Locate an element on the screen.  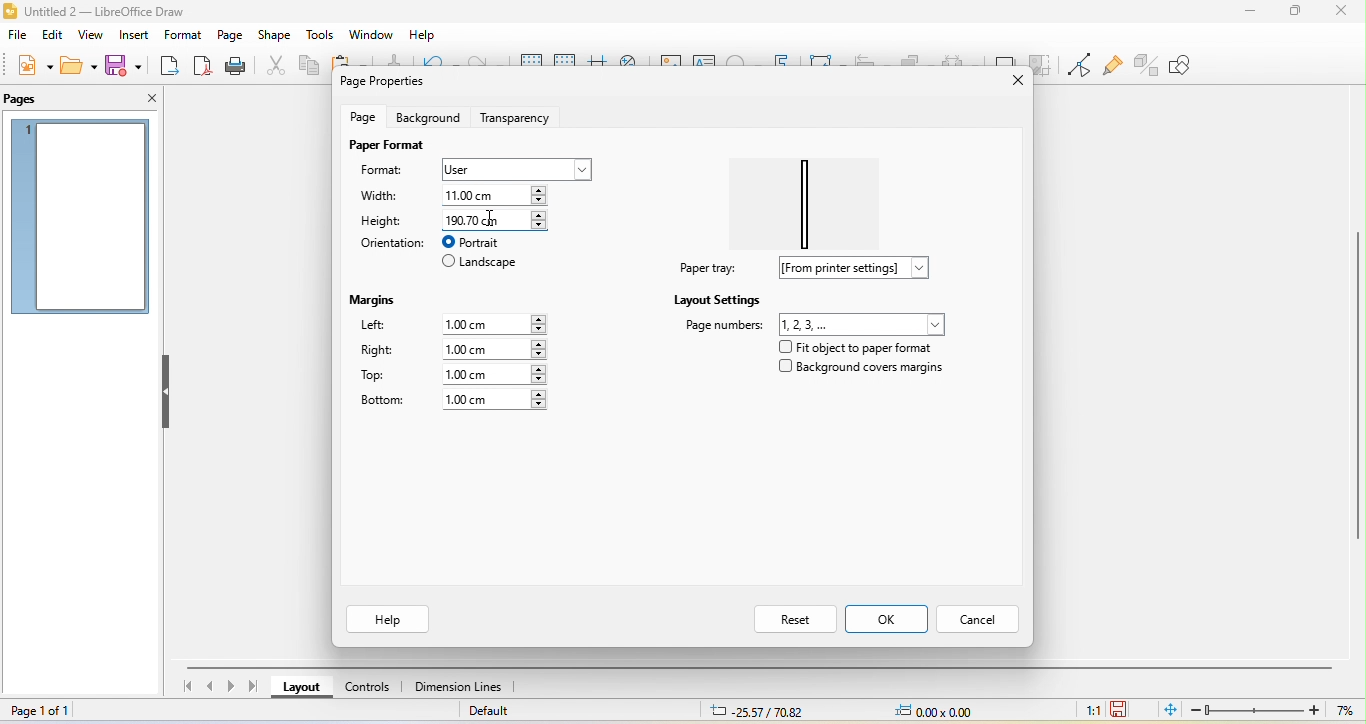
lefr is located at coordinates (386, 327).